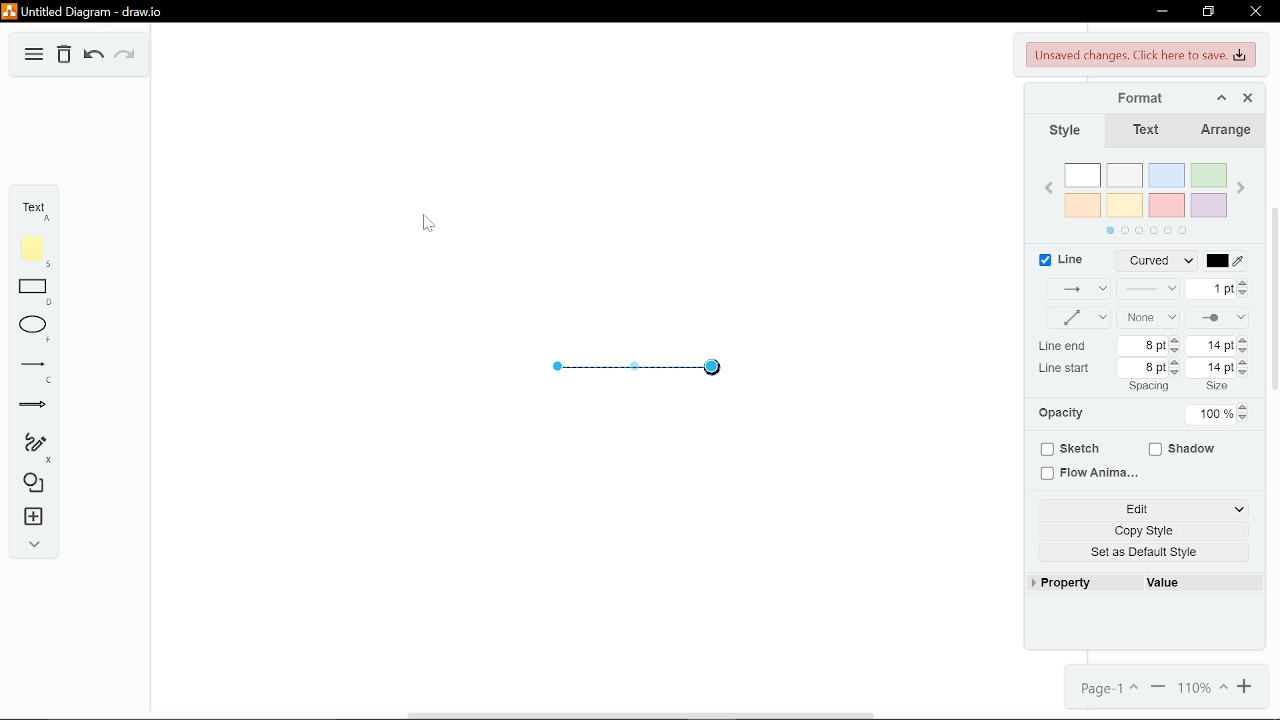 The width and height of the screenshot is (1280, 720). Describe the element at coordinates (35, 446) in the screenshot. I see `Freehand` at that location.